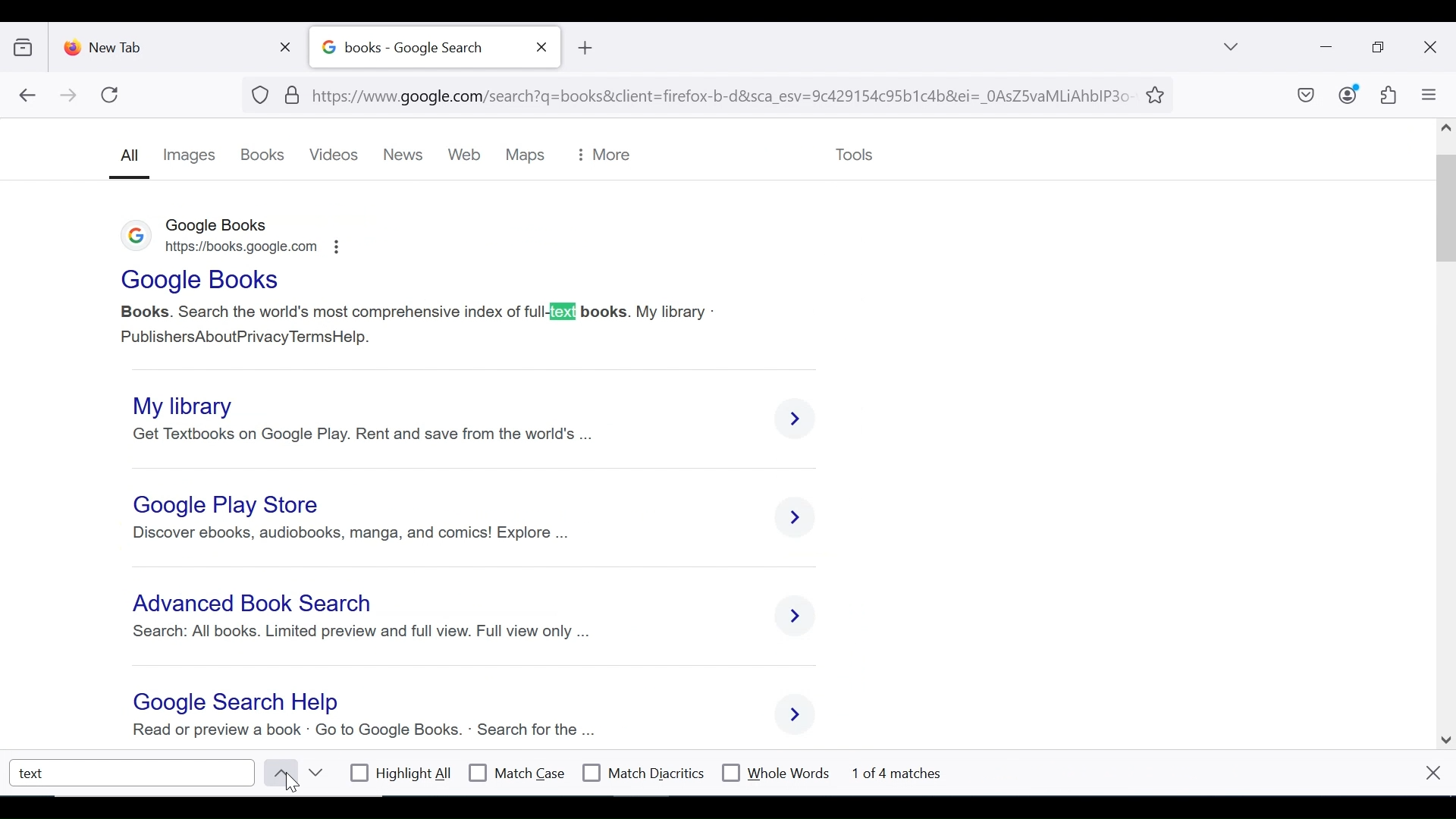  What do you see at coordinates (1158, 93) in the screenshot?
I see `bookmark this tab` at bounding box center [1158, 93].